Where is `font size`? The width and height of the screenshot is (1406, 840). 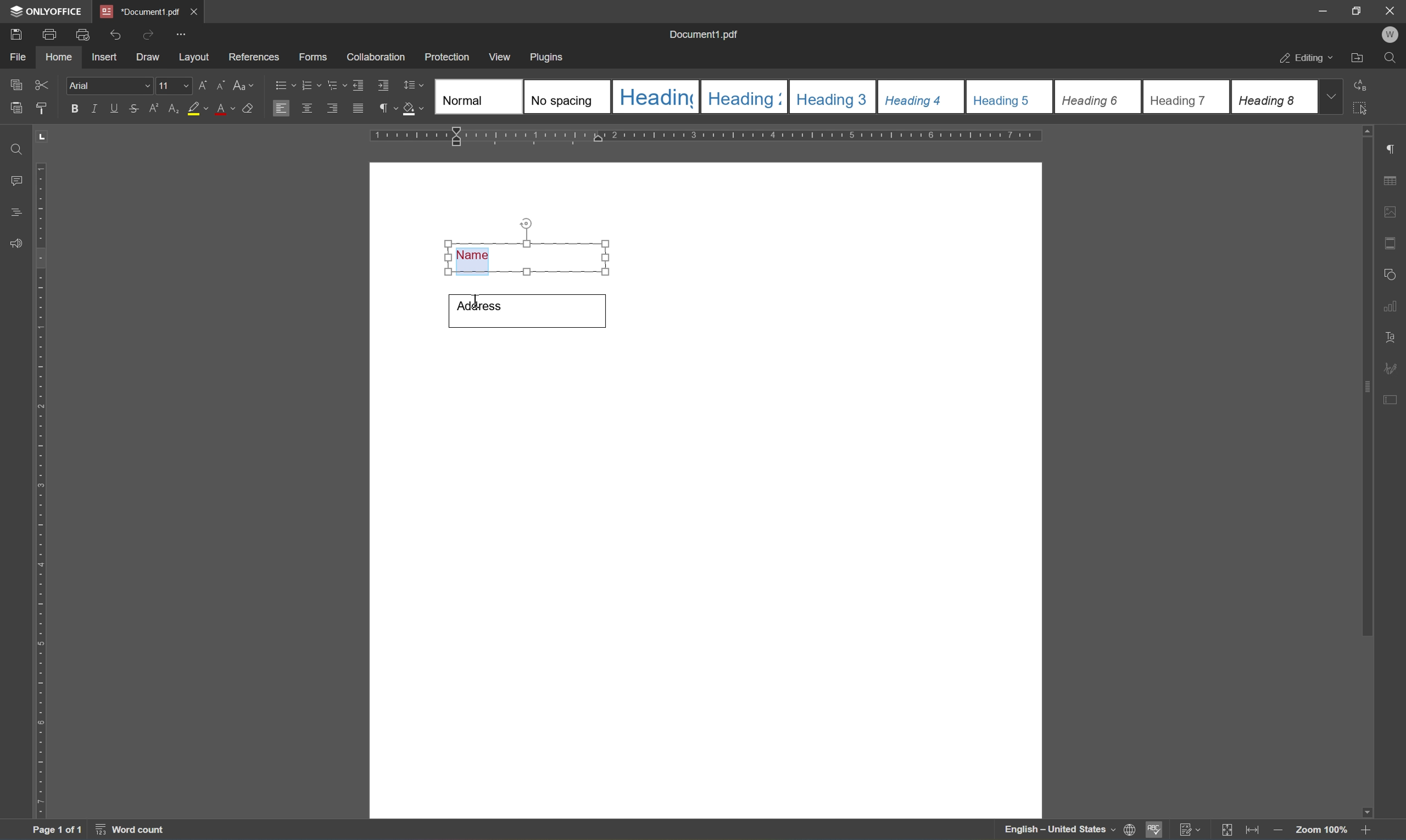
font size is located at coordinates (174, 85).